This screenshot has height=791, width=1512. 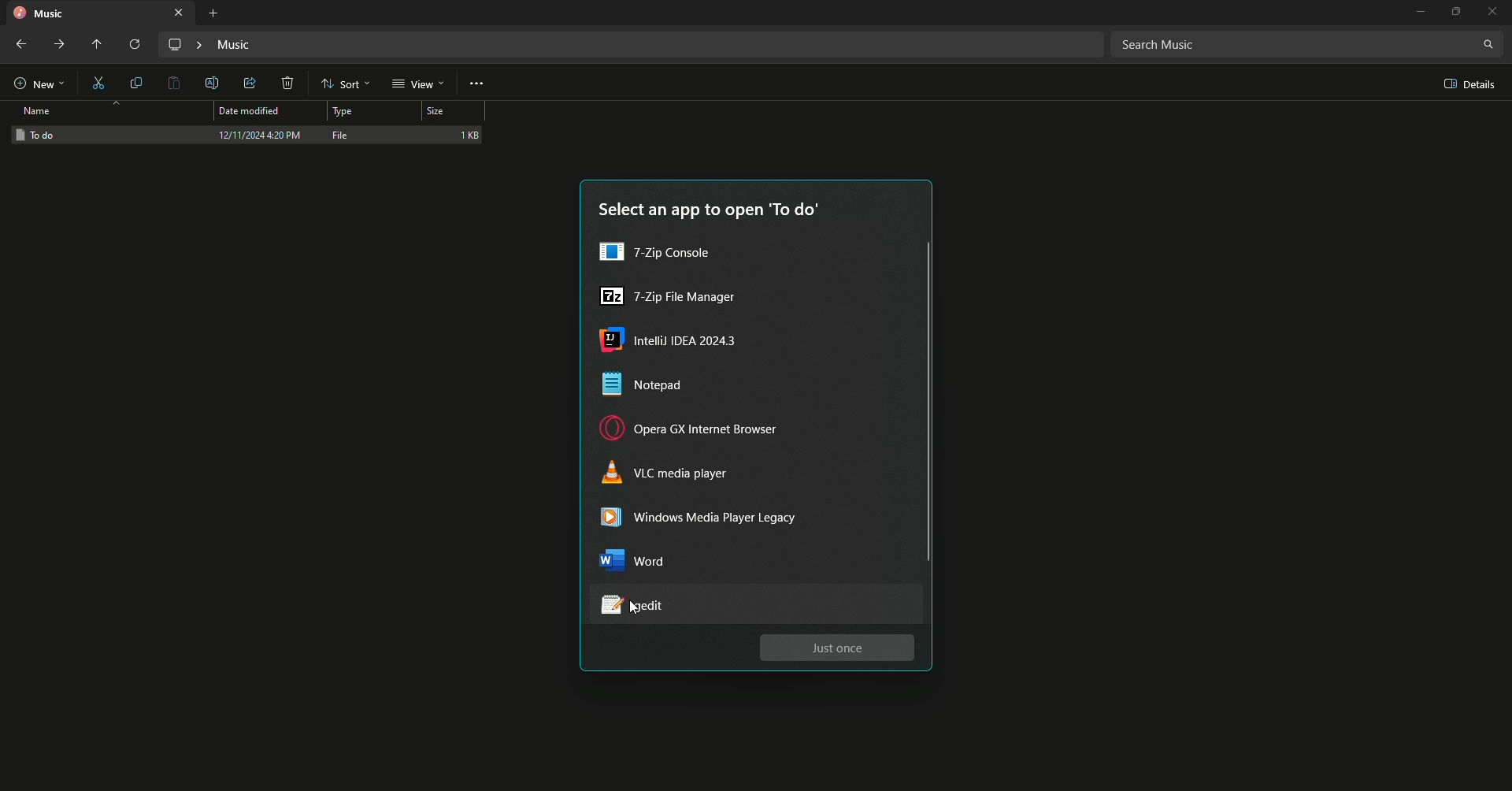 What do you see at coordinates (35, 136) in the screenshot?
I see `To do` at bounding box center [35, 136].